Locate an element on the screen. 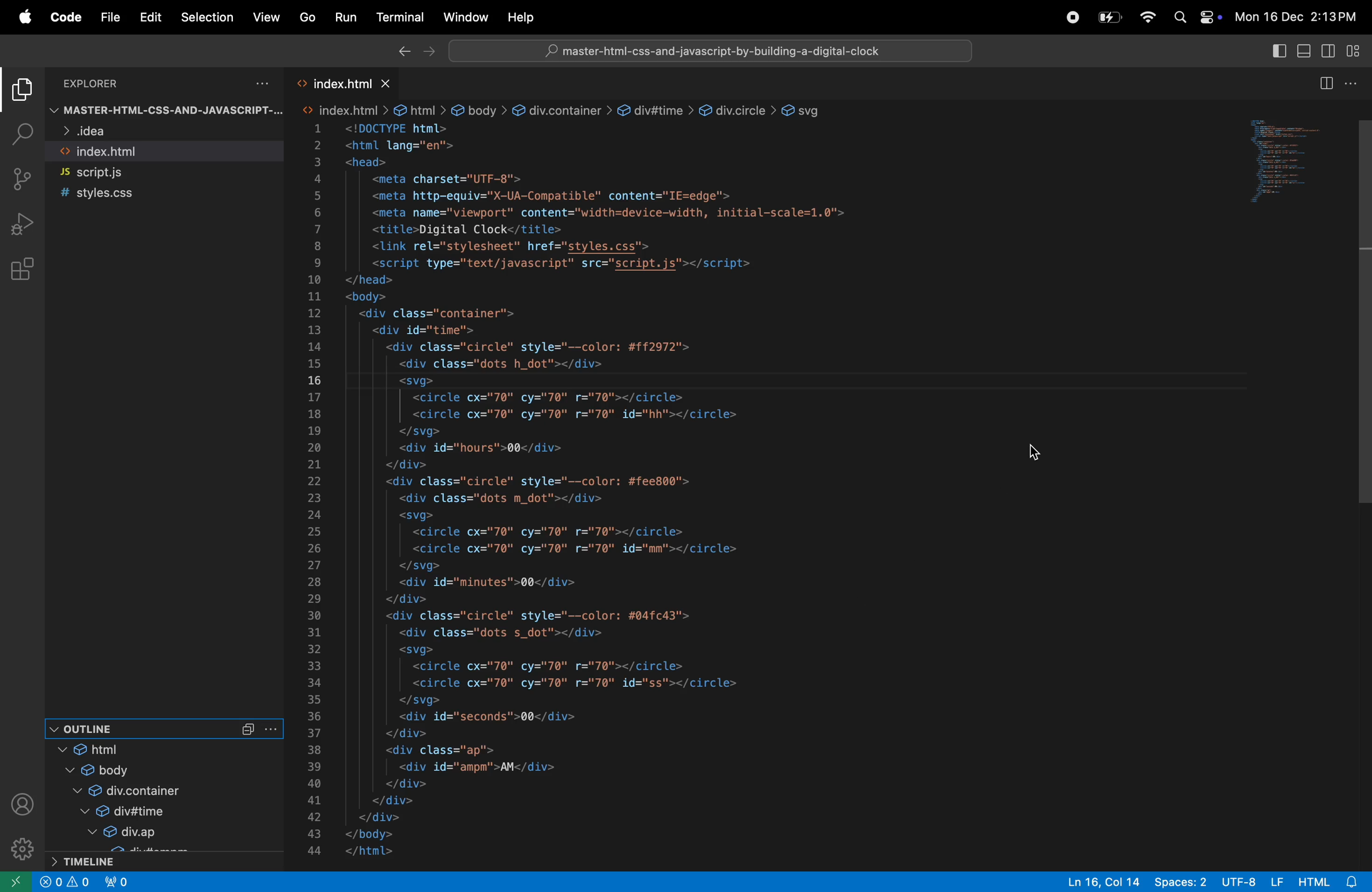 This screenshot has width=1372, height=892. html is located at coordinates (344, 110).